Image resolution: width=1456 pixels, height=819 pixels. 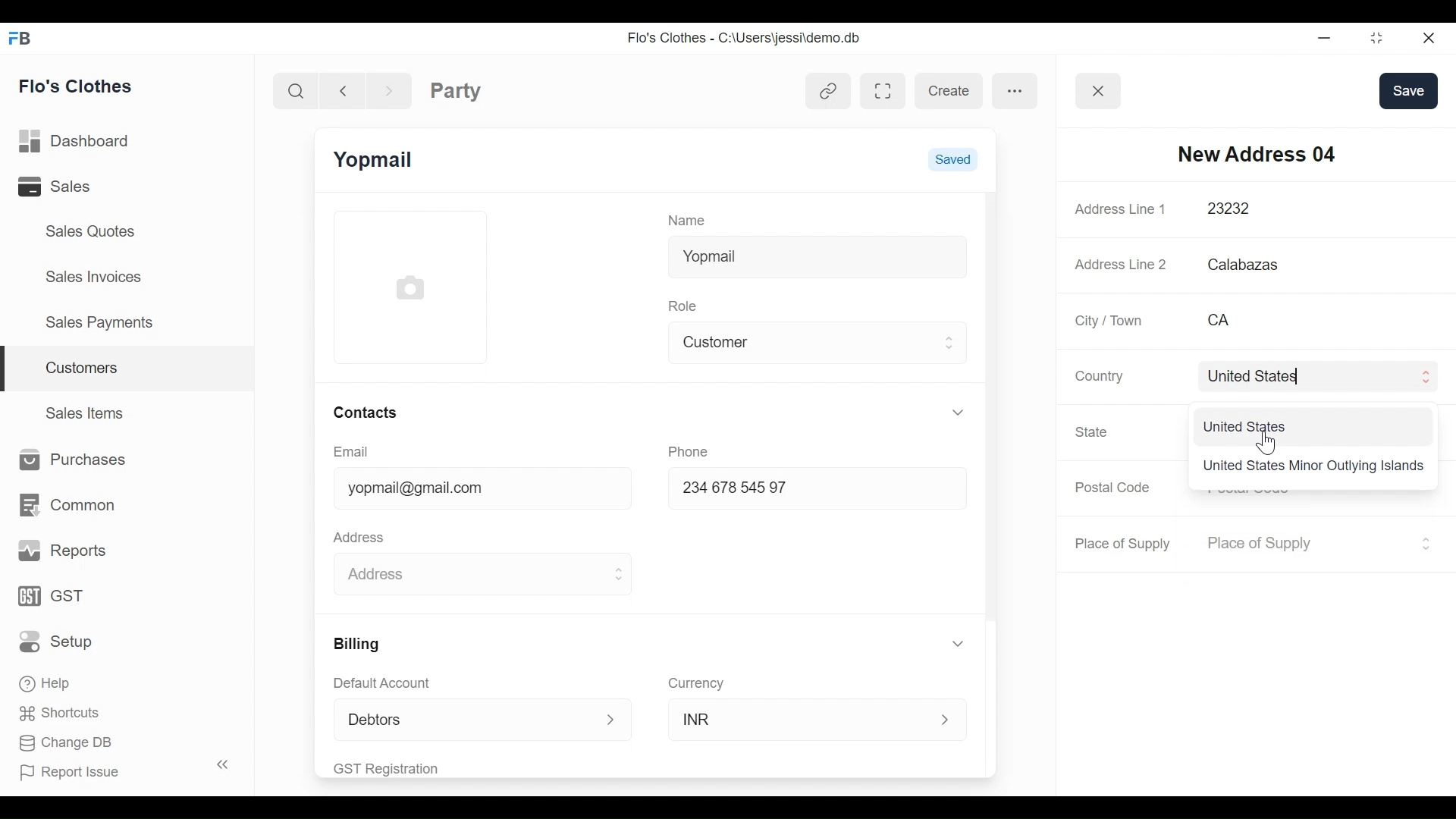 I want to click on Customer, so click(x=806, y=340).